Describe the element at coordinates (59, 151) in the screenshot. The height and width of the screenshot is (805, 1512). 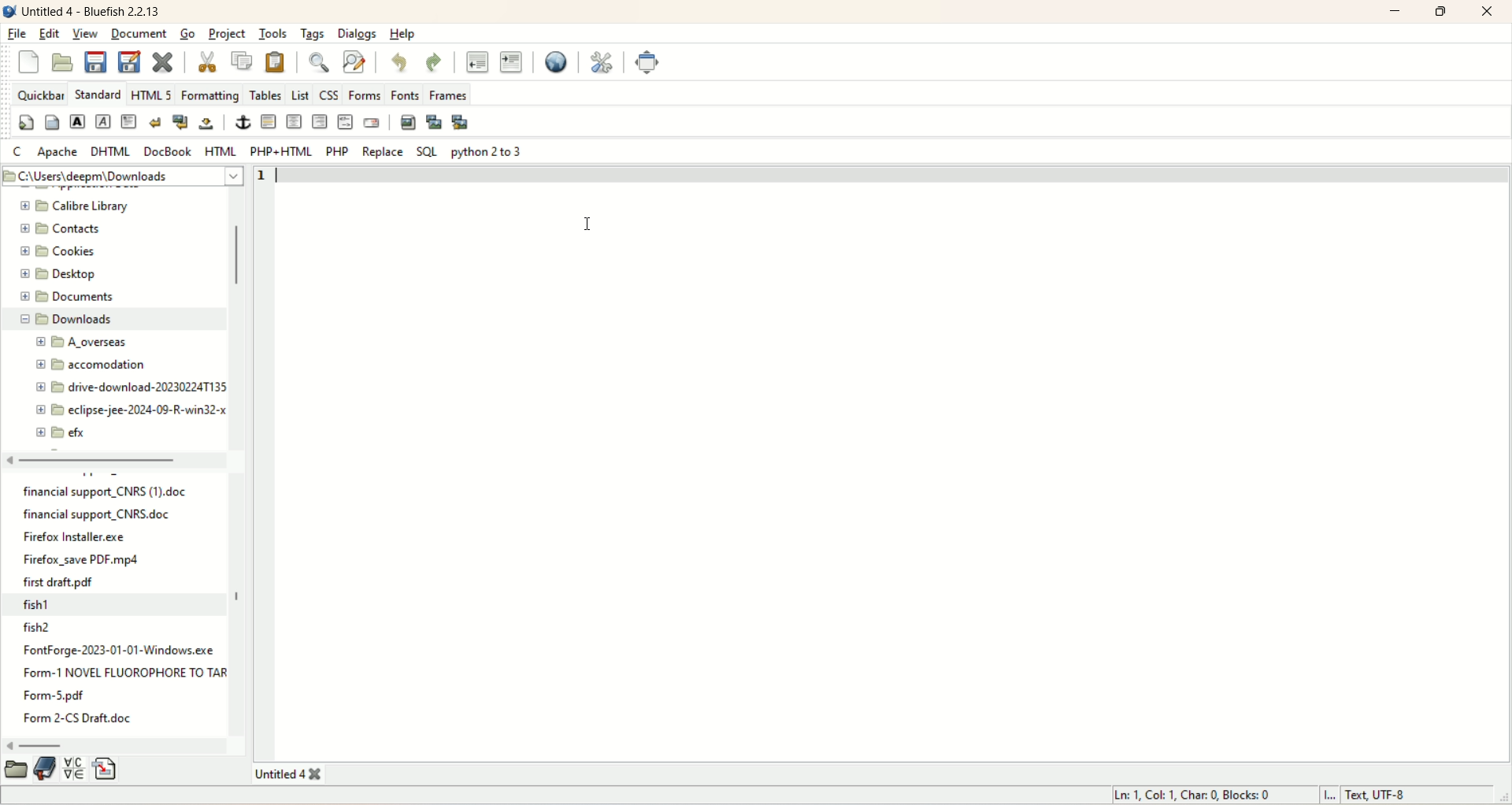
I see `Apache` at that location.